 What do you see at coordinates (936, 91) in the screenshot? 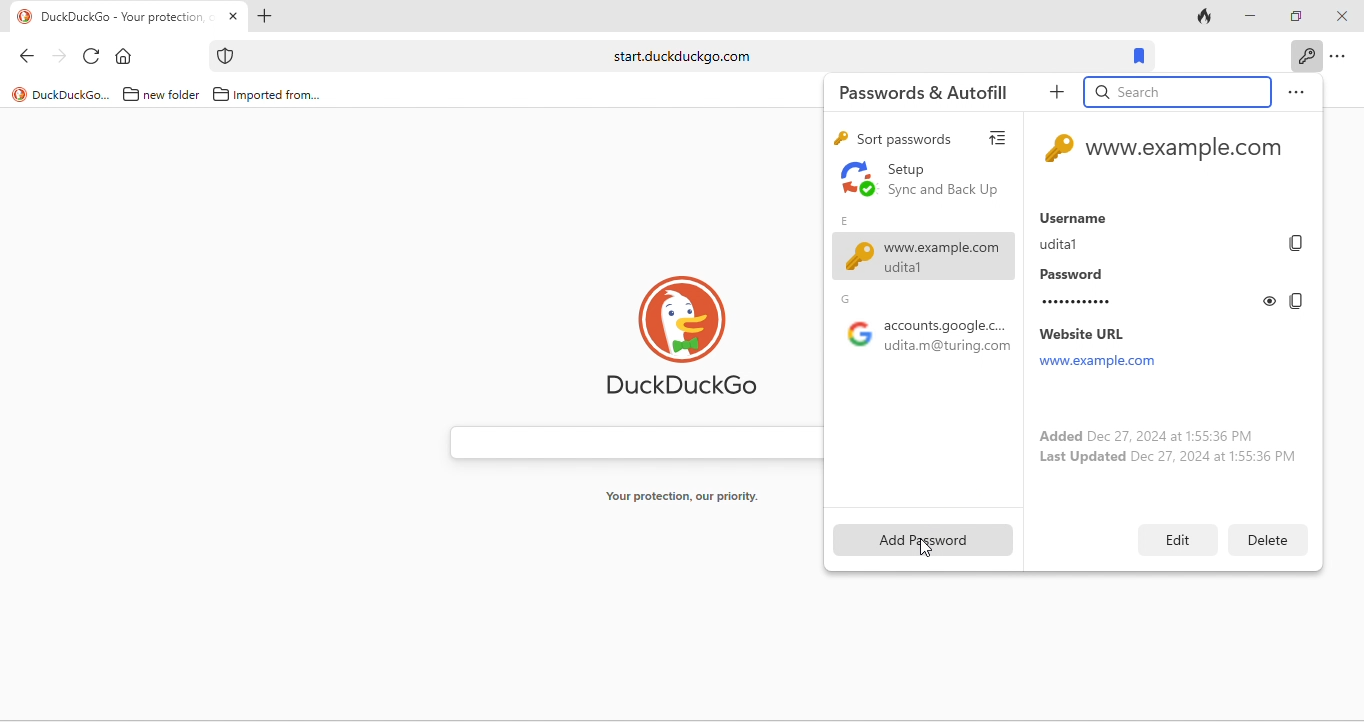
I see `passwords and autofill` at bounding box center [936, 91].